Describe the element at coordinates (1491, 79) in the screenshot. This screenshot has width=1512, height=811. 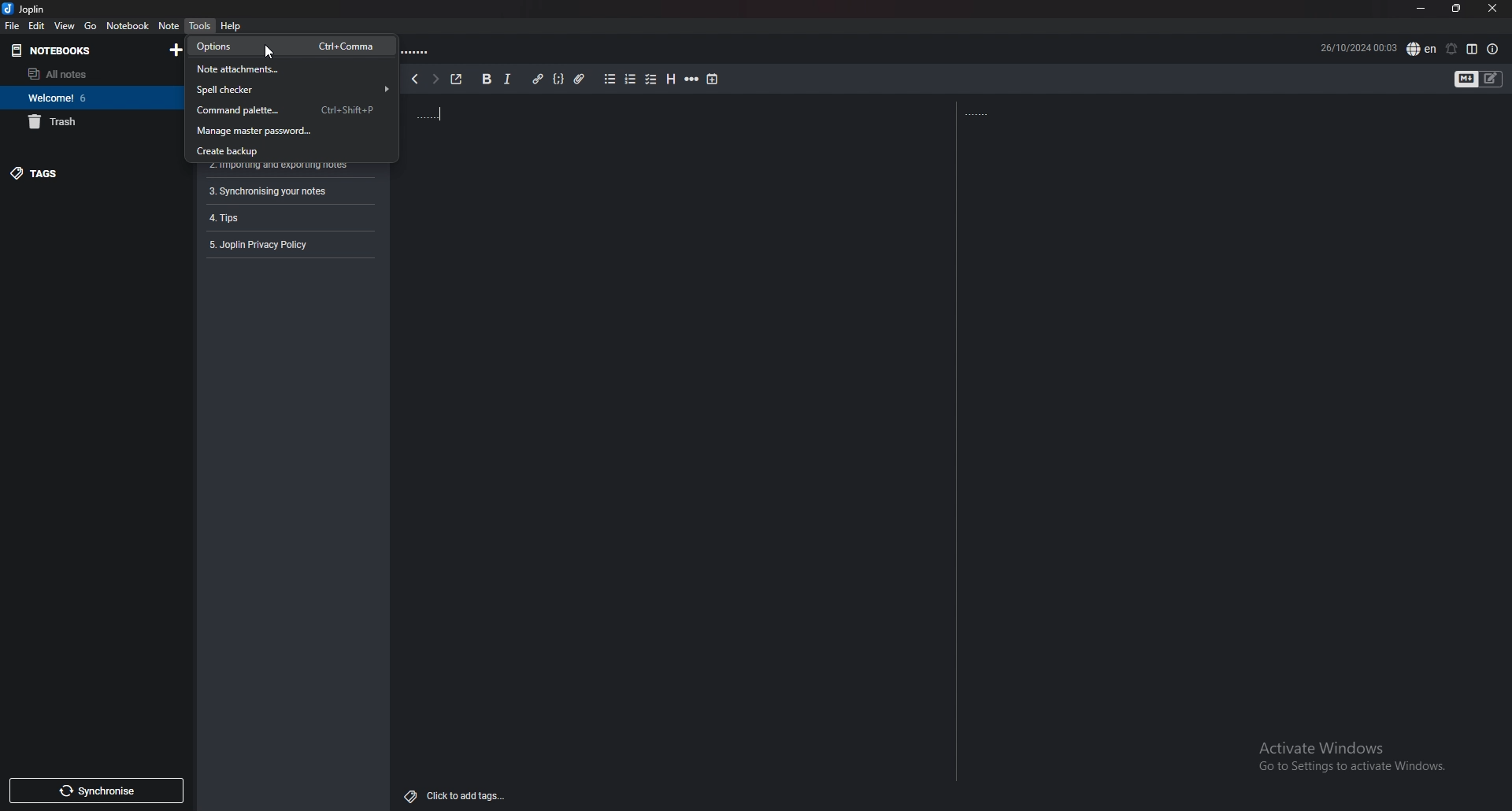
I see `toggle editors` at that location.